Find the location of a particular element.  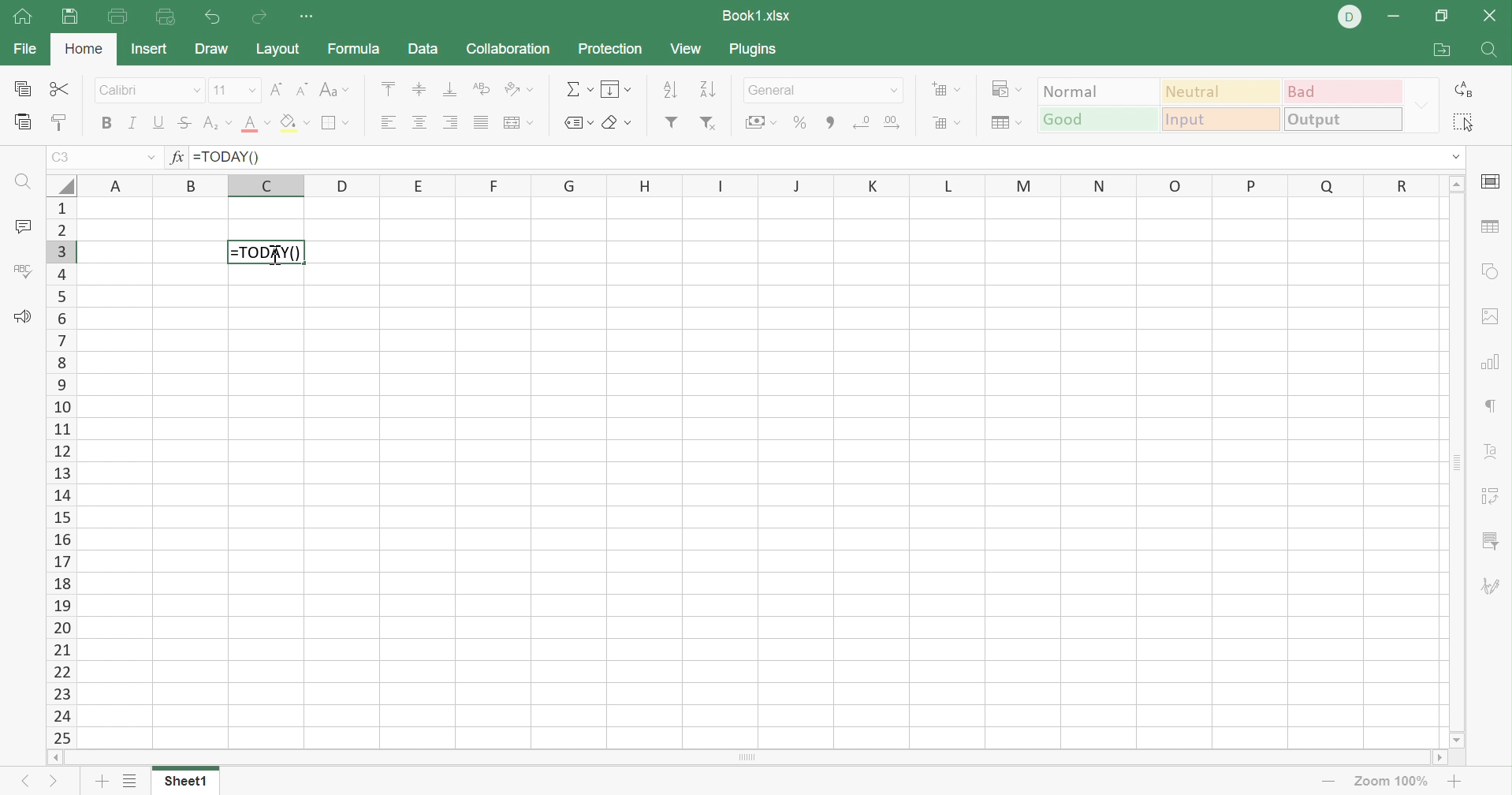

Redo is located at coordinates (259, 19).